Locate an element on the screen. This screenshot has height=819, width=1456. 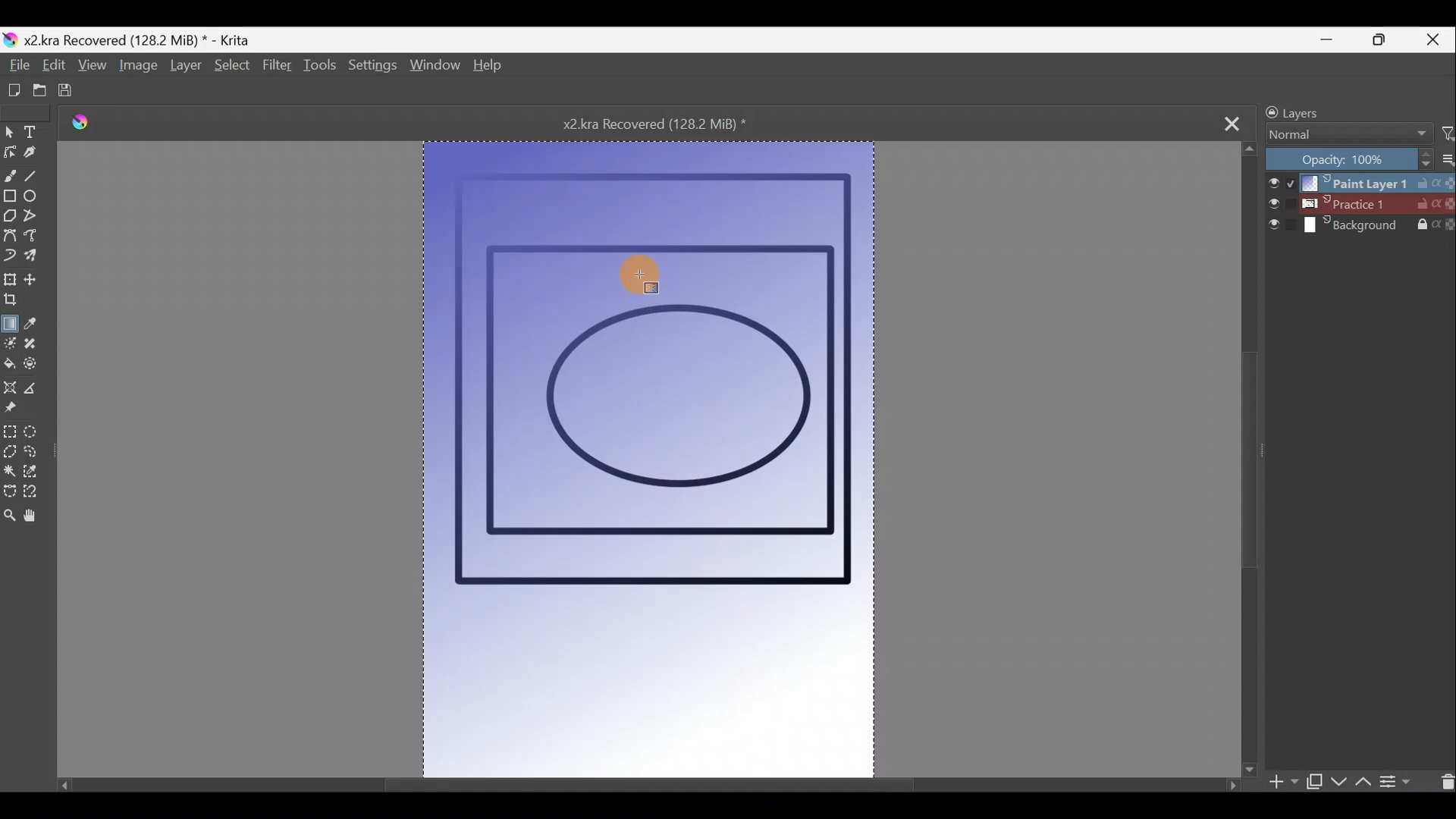
Line tool is located at coordinates (34, 178).